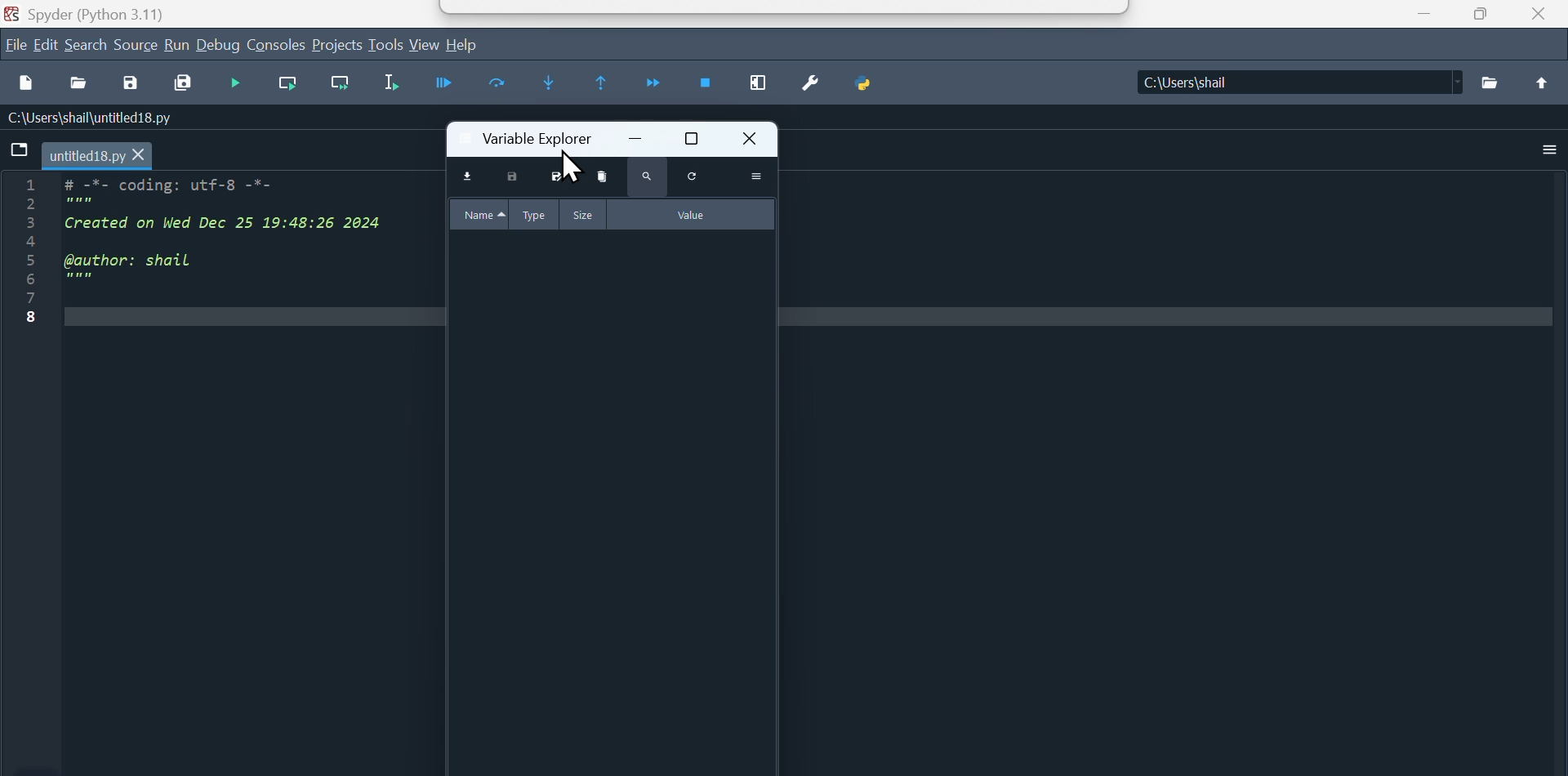 The width and height of the screenshot is (1568, 776). Describe the element at coordinates (175, 46) in the screenshot. I see `Build` at that location.